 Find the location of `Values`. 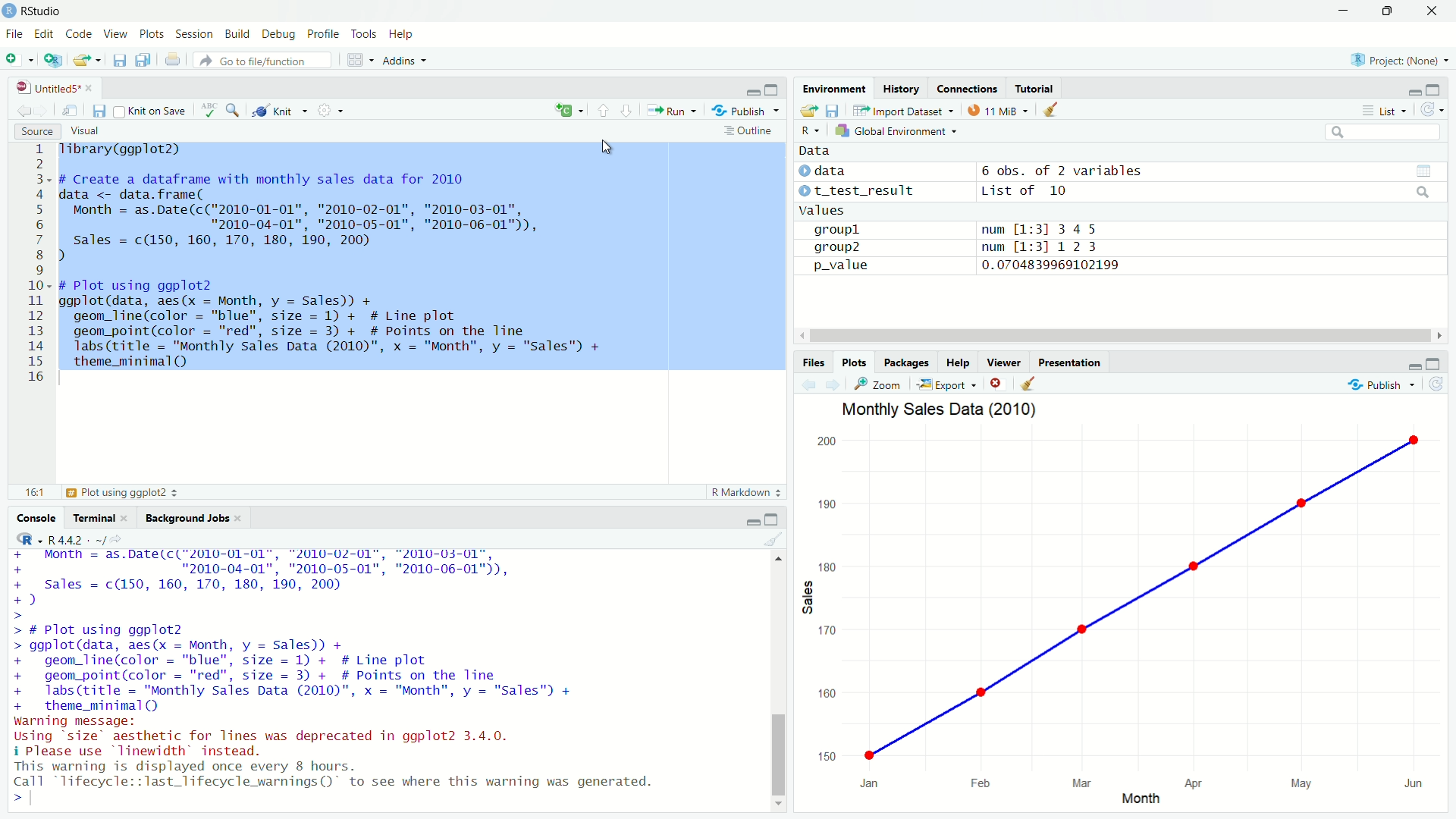

Values is located at coordinates (822, 211).